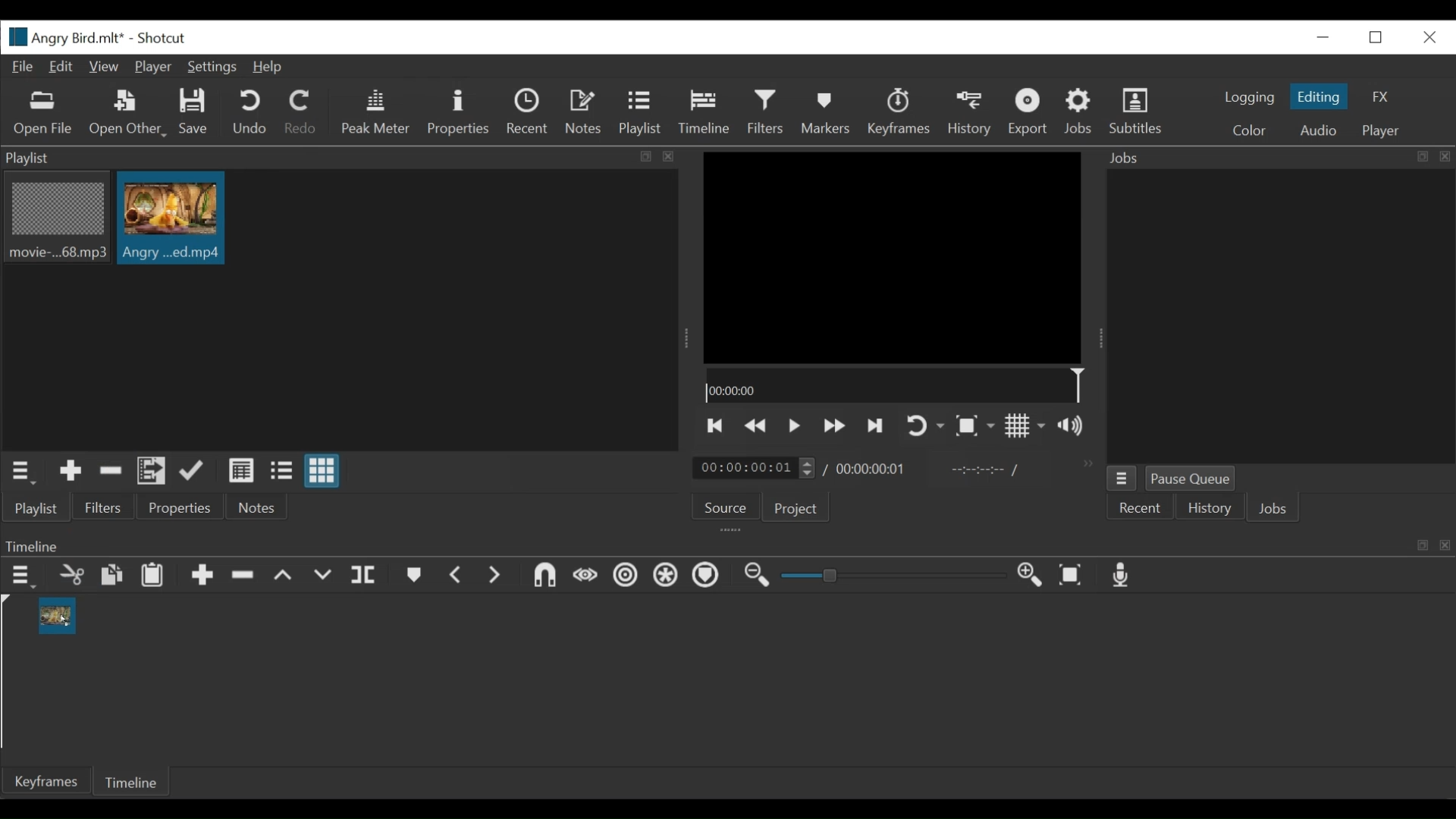  What do you see at coordinates (1316, 130) in the screenshot?
I see `Audio` at bounding box center [1316, 130].